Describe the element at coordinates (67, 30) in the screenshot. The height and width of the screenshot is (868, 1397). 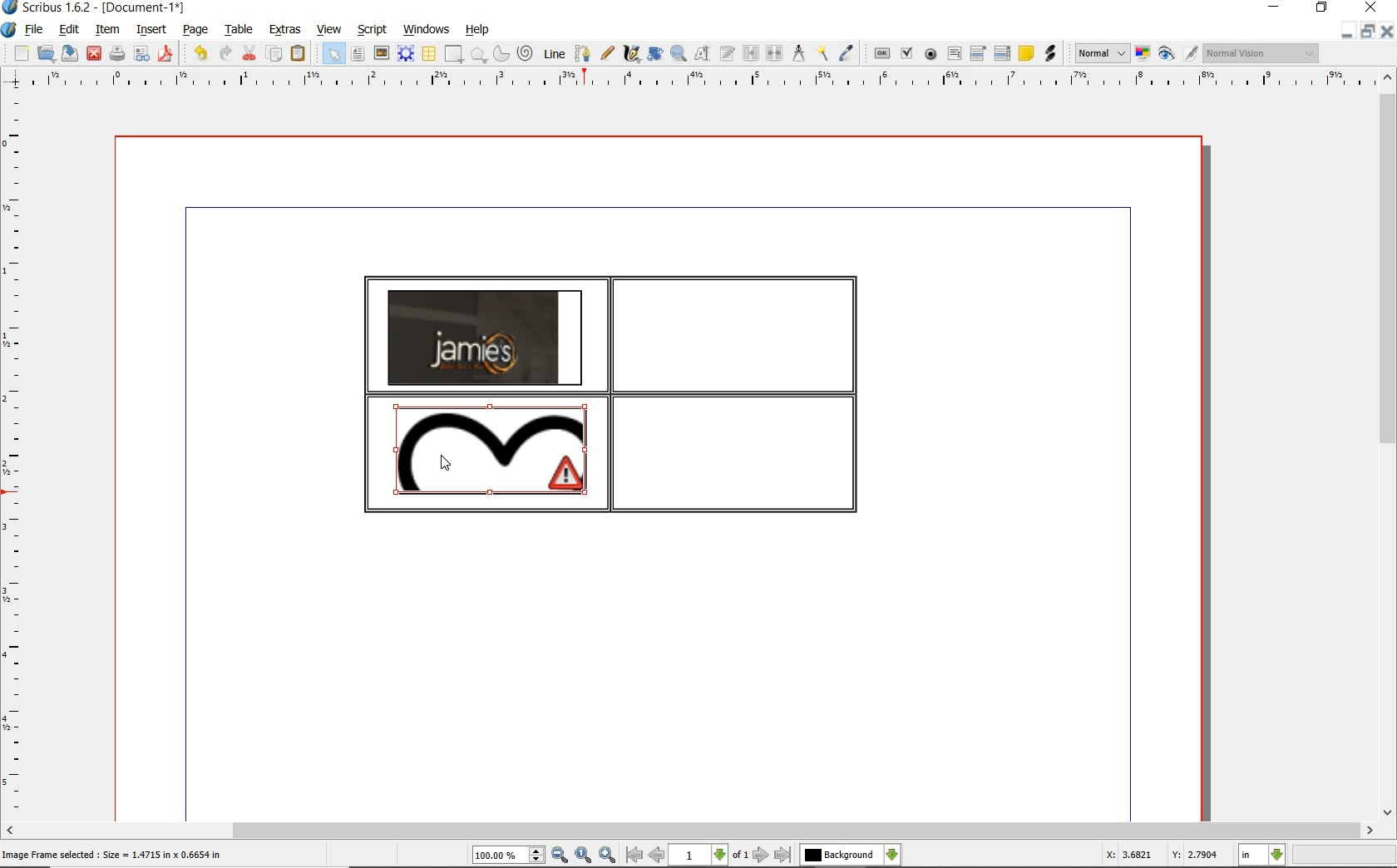
I see `edit` at that location.